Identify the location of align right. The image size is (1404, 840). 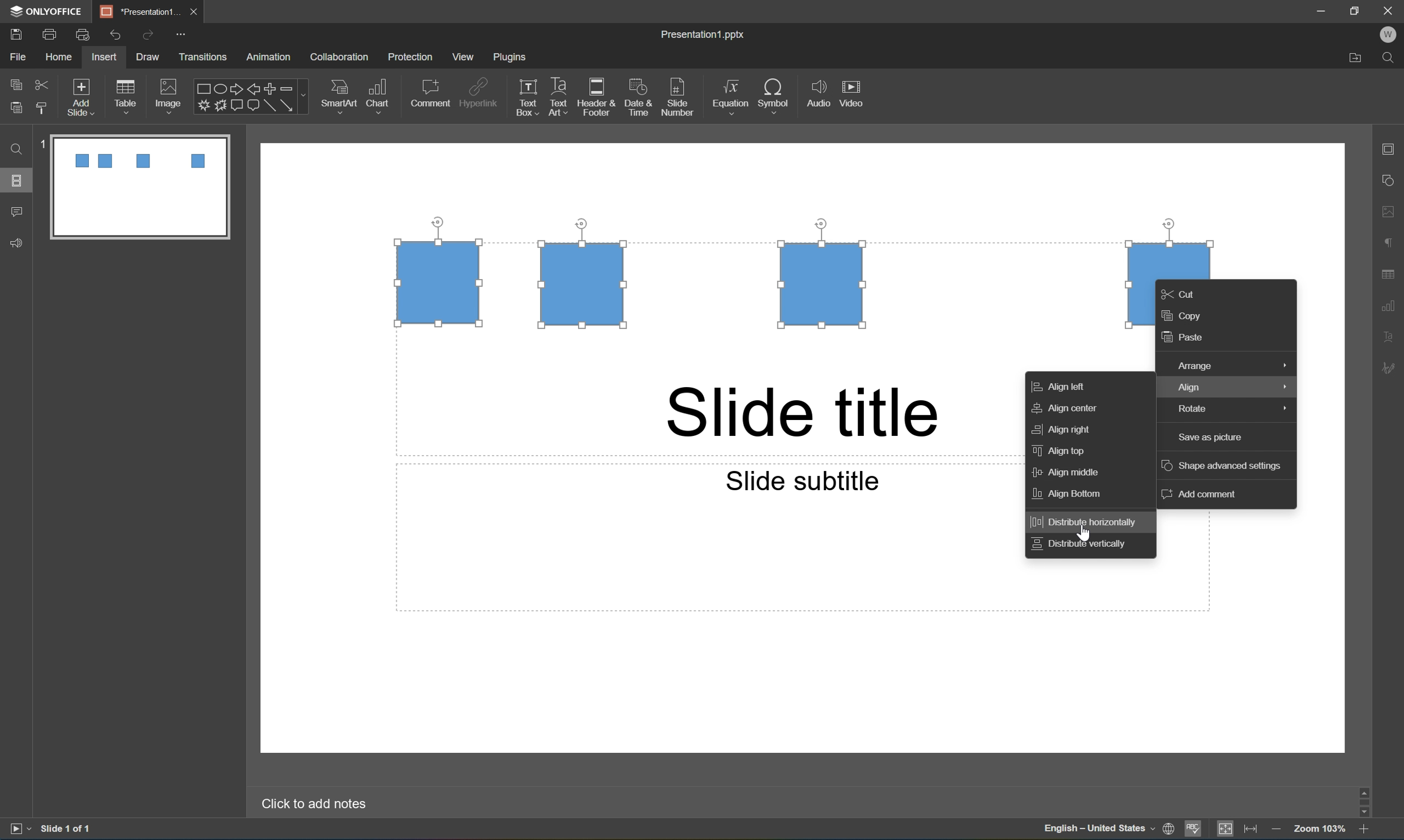
(1064, 428).